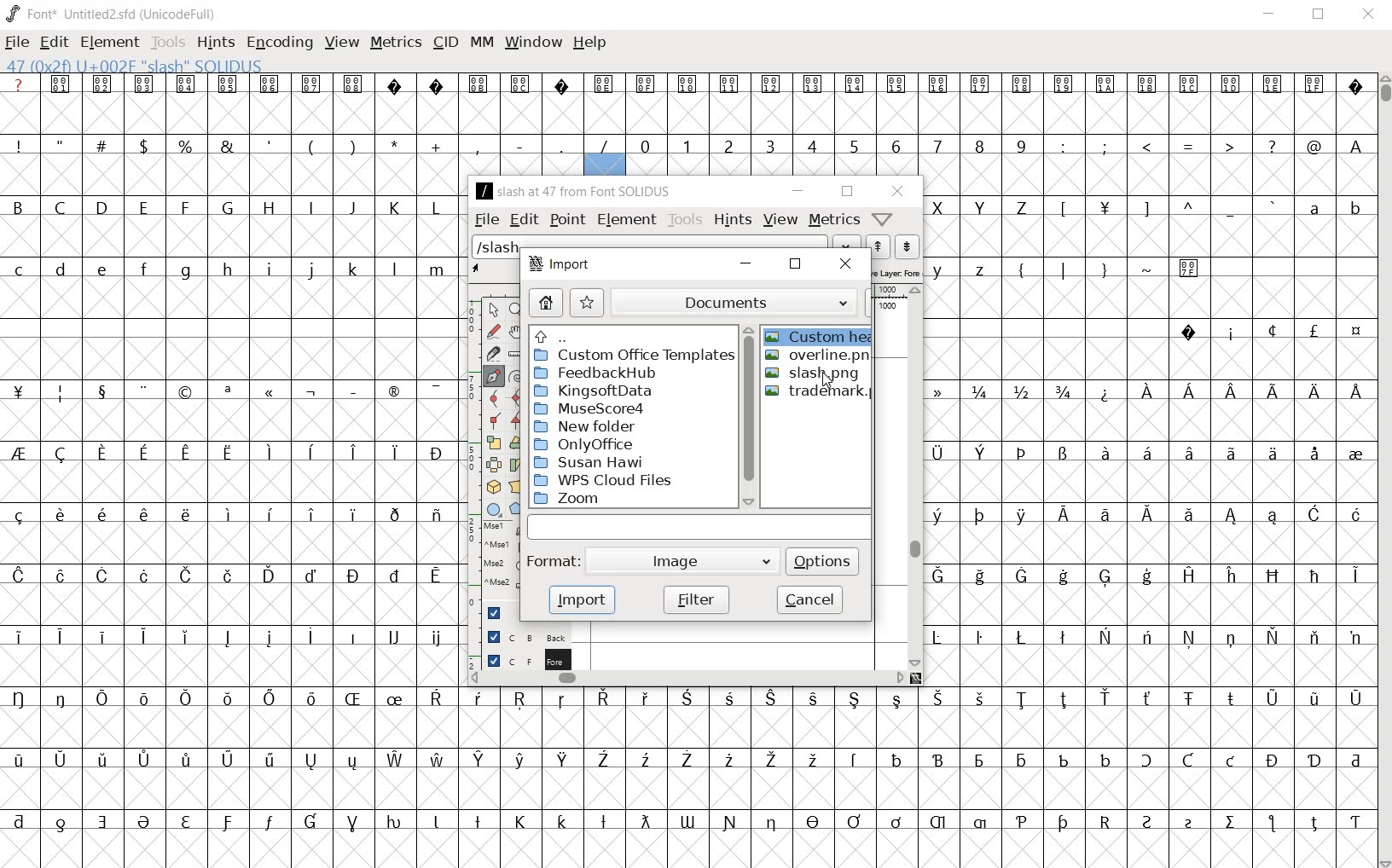  What do you see at coordinates (279, 43) in the screenshot?
I see `ENCODING` at bounding box center [279, 43].